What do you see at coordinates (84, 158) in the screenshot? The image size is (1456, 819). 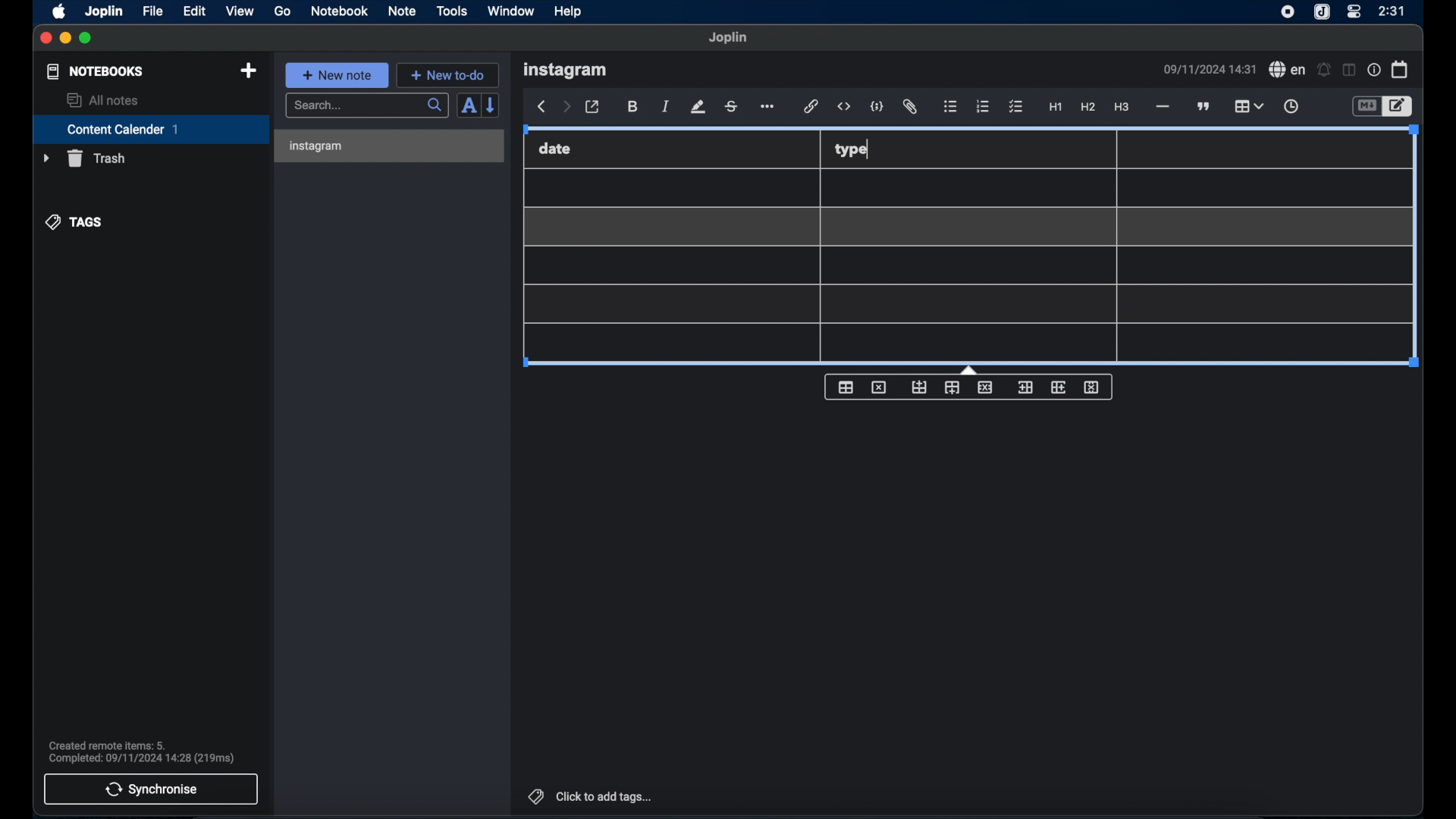 I see `trash` at bounding box center [84, 158].